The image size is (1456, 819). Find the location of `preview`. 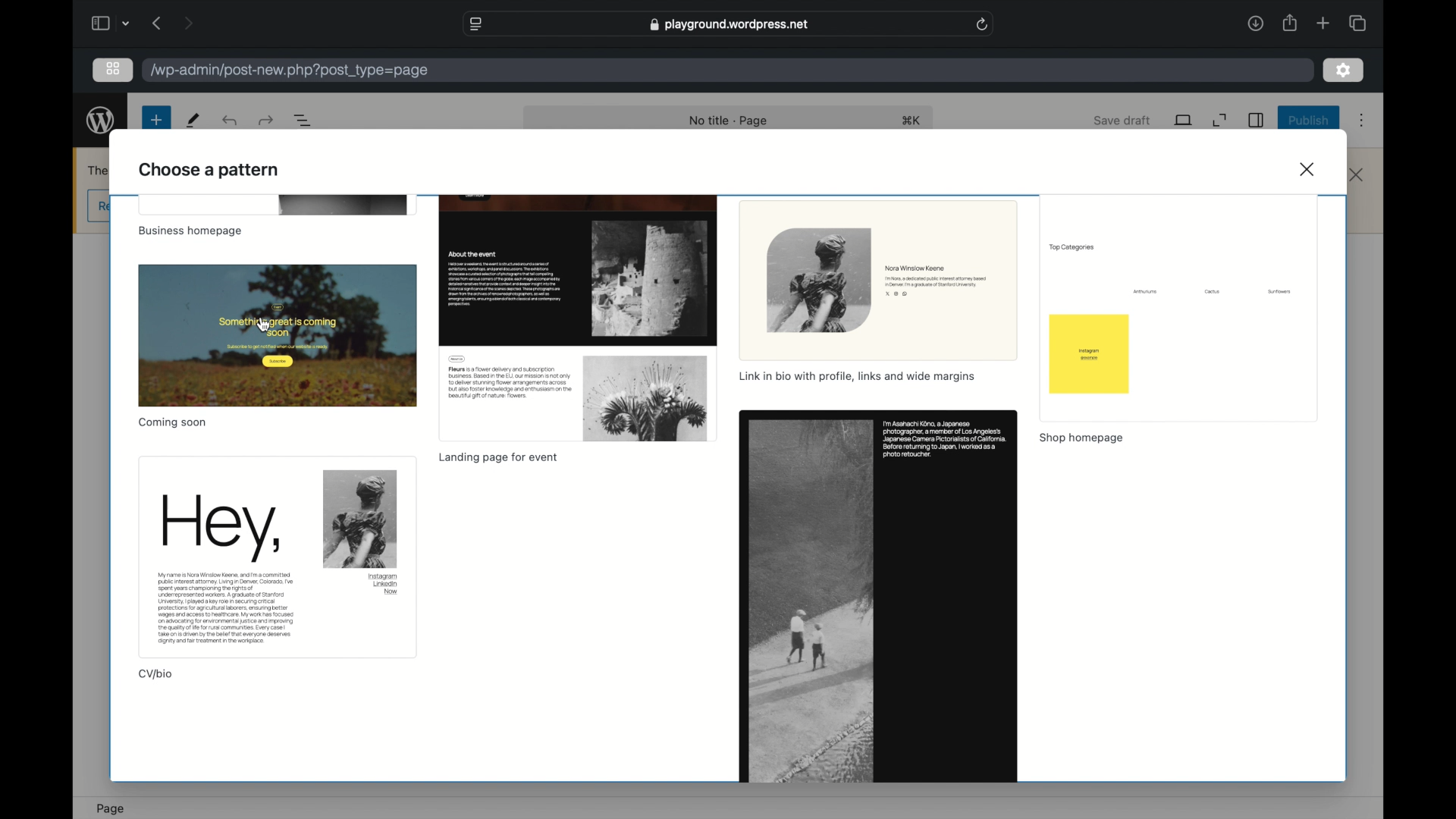

preview is located at coordinates (1181, 306).